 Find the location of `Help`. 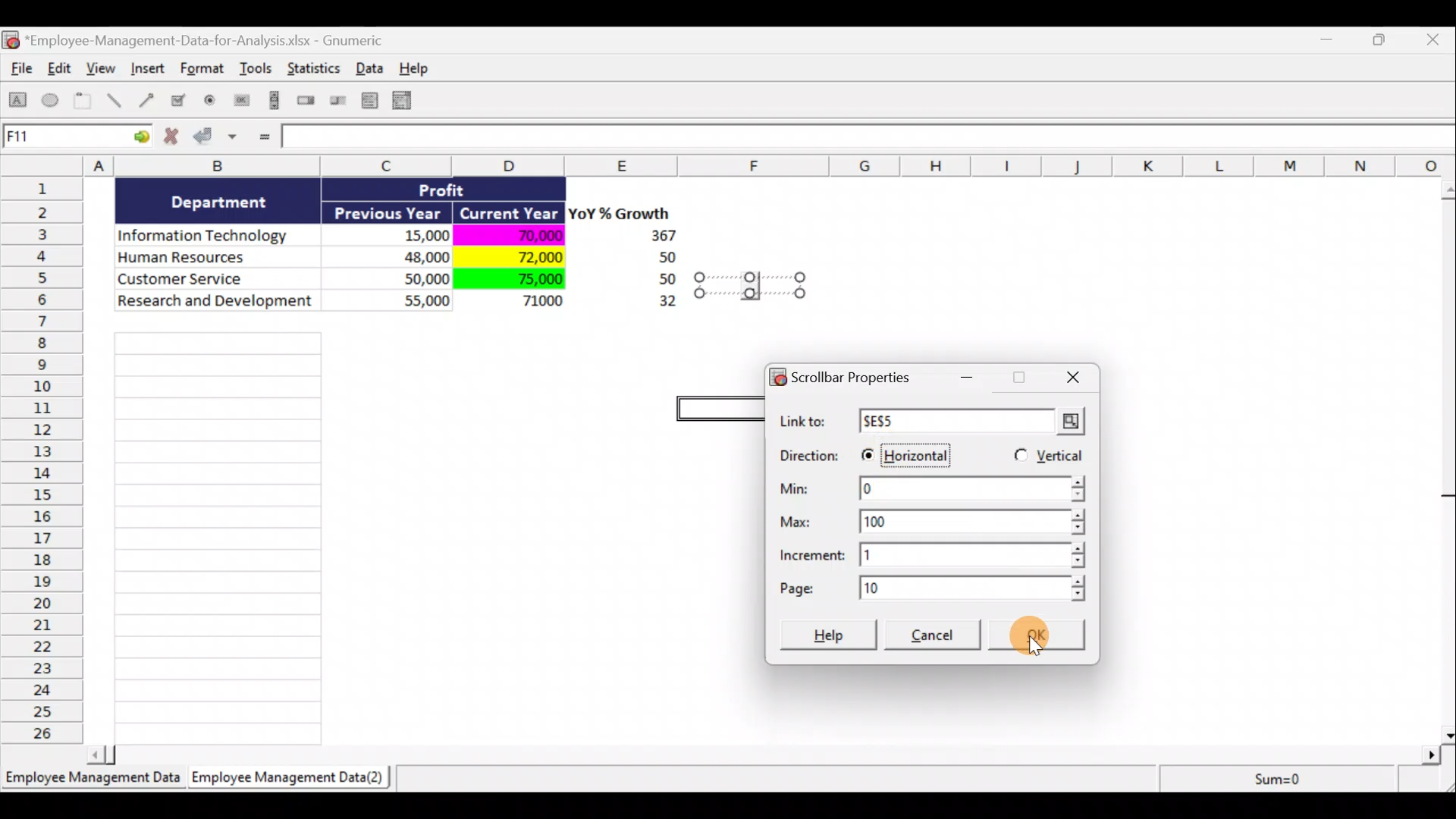

Help is located at coordinates (830, 633).